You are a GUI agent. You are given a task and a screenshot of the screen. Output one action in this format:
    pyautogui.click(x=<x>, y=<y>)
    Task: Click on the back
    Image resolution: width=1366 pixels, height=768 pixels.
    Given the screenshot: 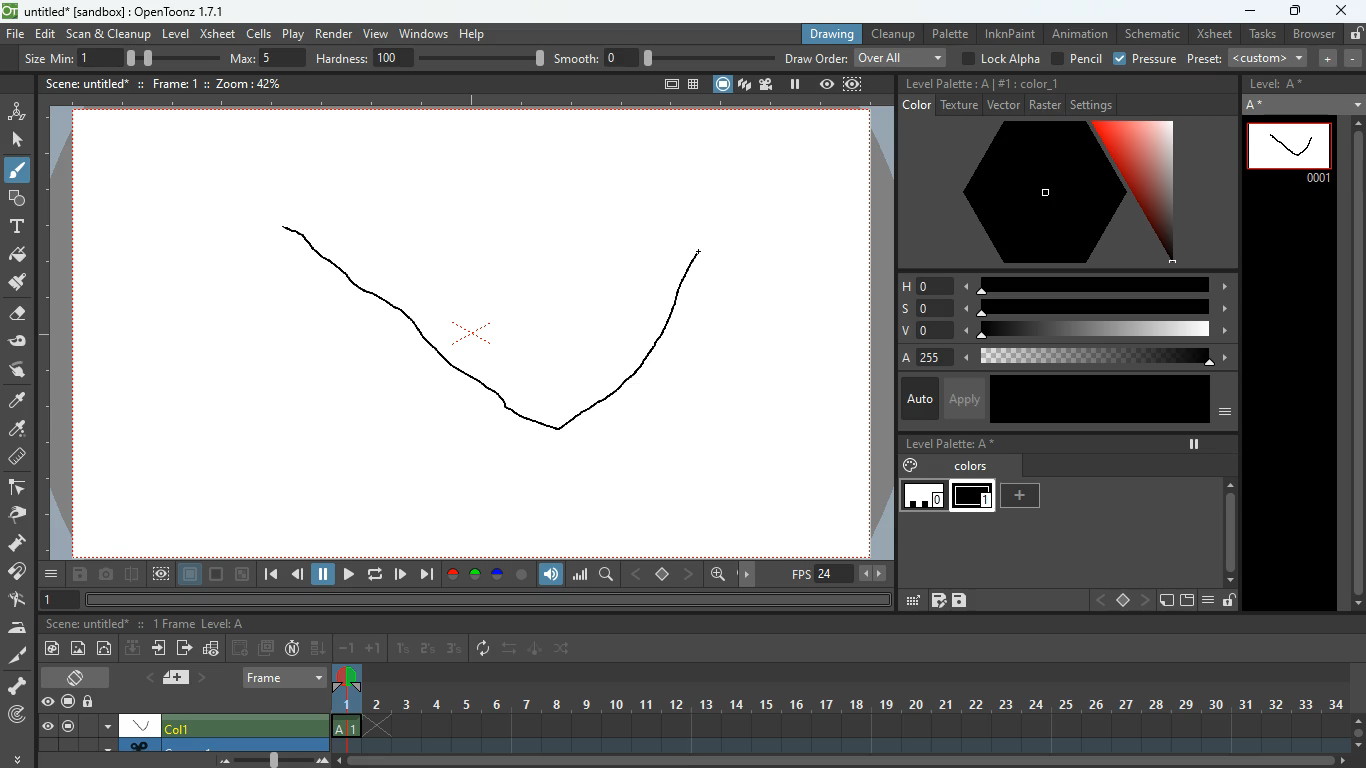 What is the action you would take?
    pyautogui.click(x=298, y=577)
    